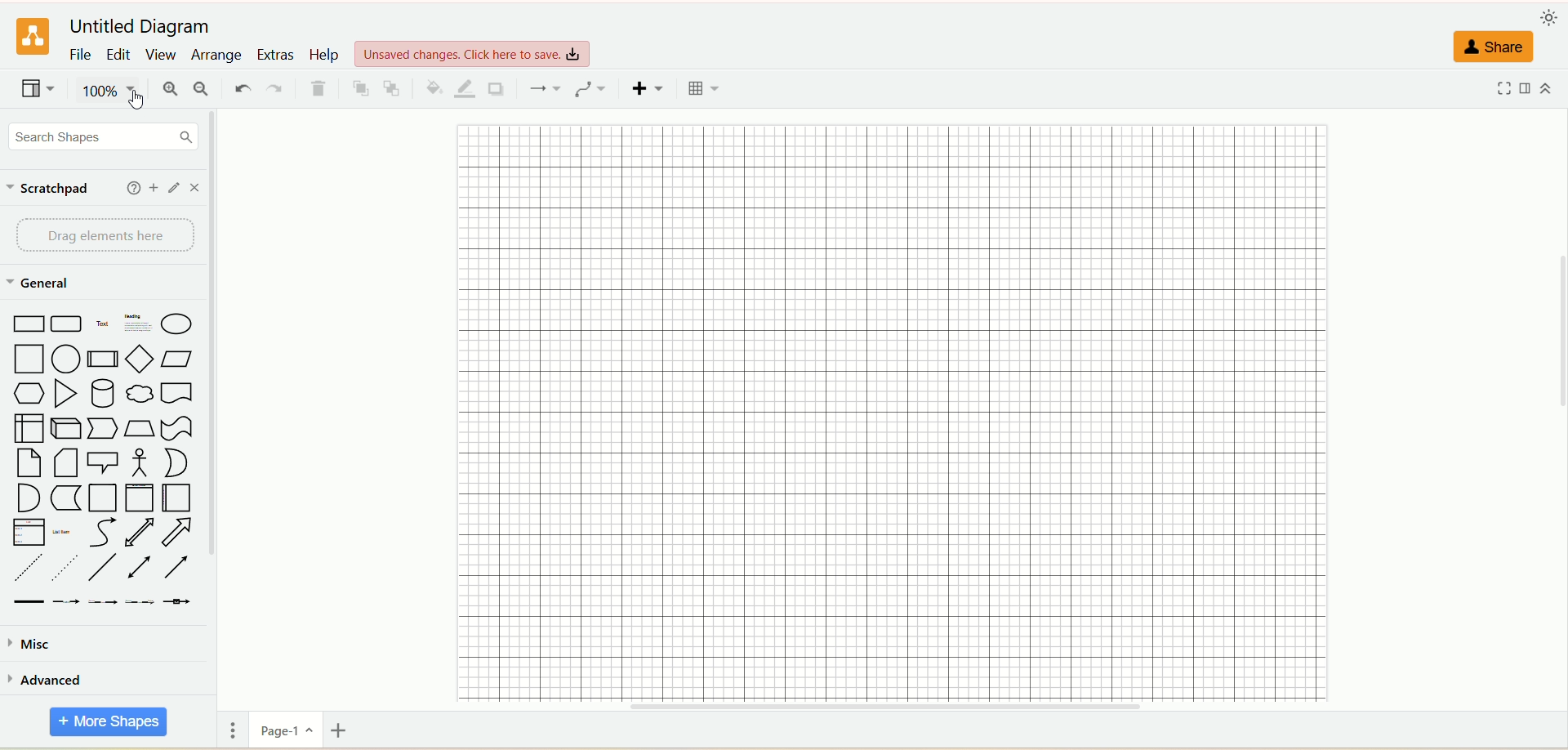 The height and width of the screenshot is (750, 1568). Describe the element at coordinates (175, 462) in the screenshot. I see `or` at that location.